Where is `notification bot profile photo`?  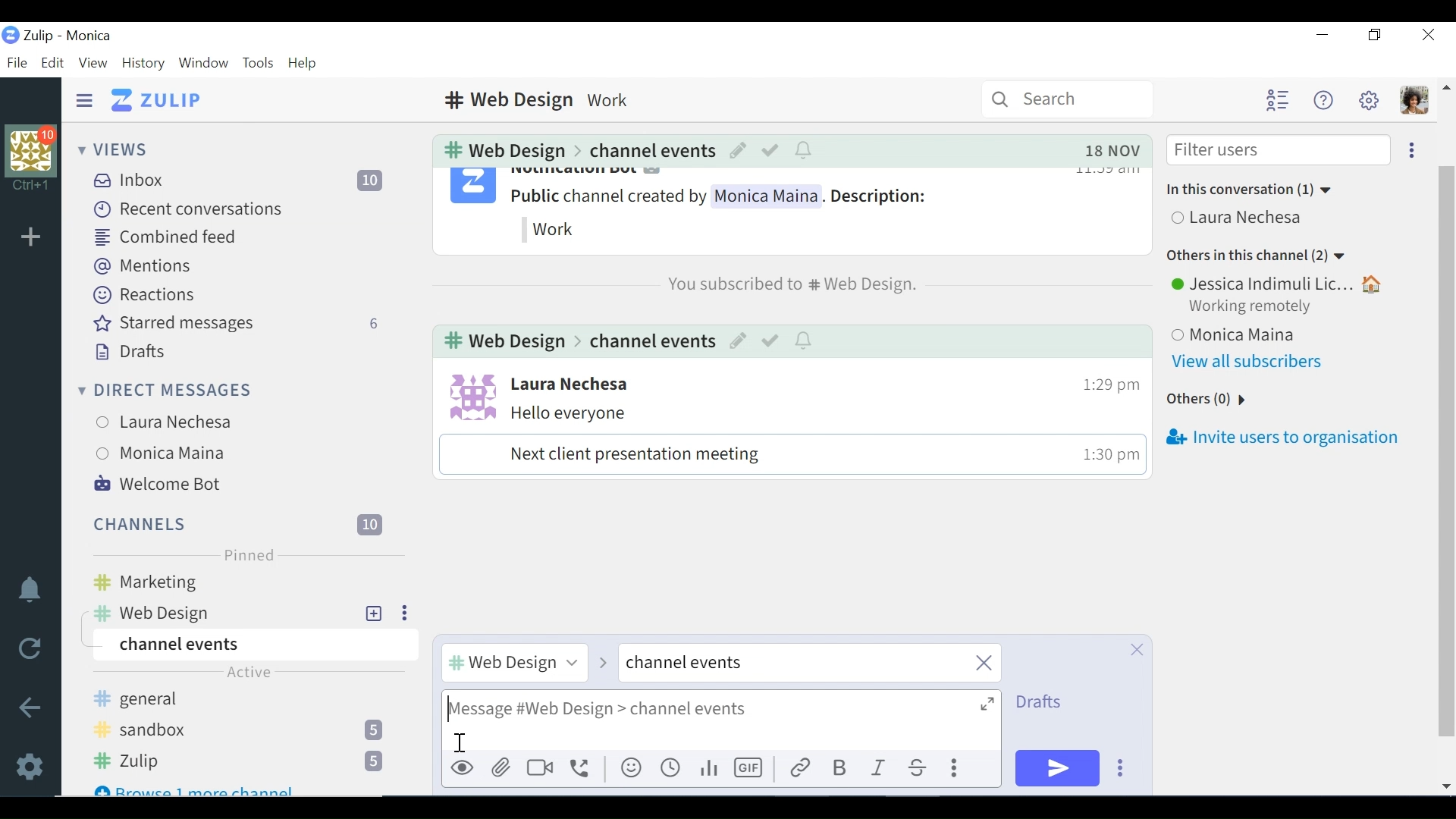 notification bot profile photo is located at coordinates (472, 188).